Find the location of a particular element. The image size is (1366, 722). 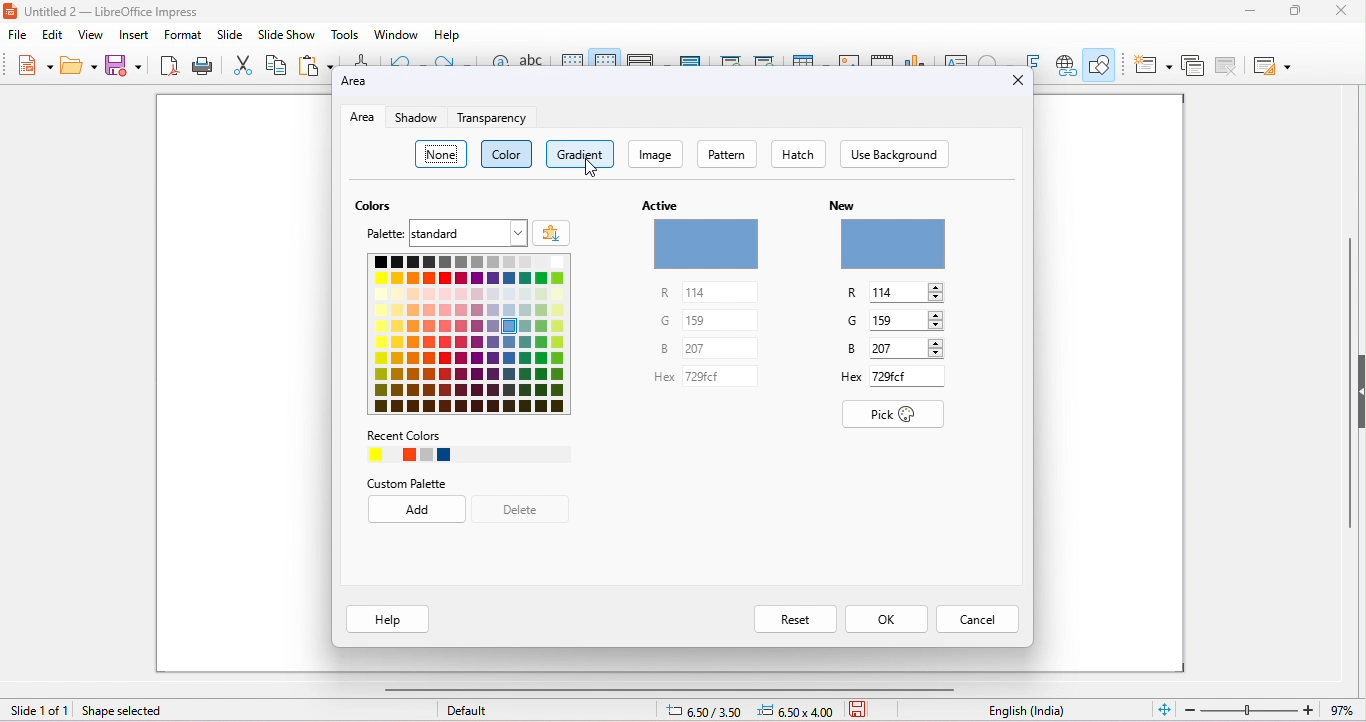

b is located at coordinates (842, 350).